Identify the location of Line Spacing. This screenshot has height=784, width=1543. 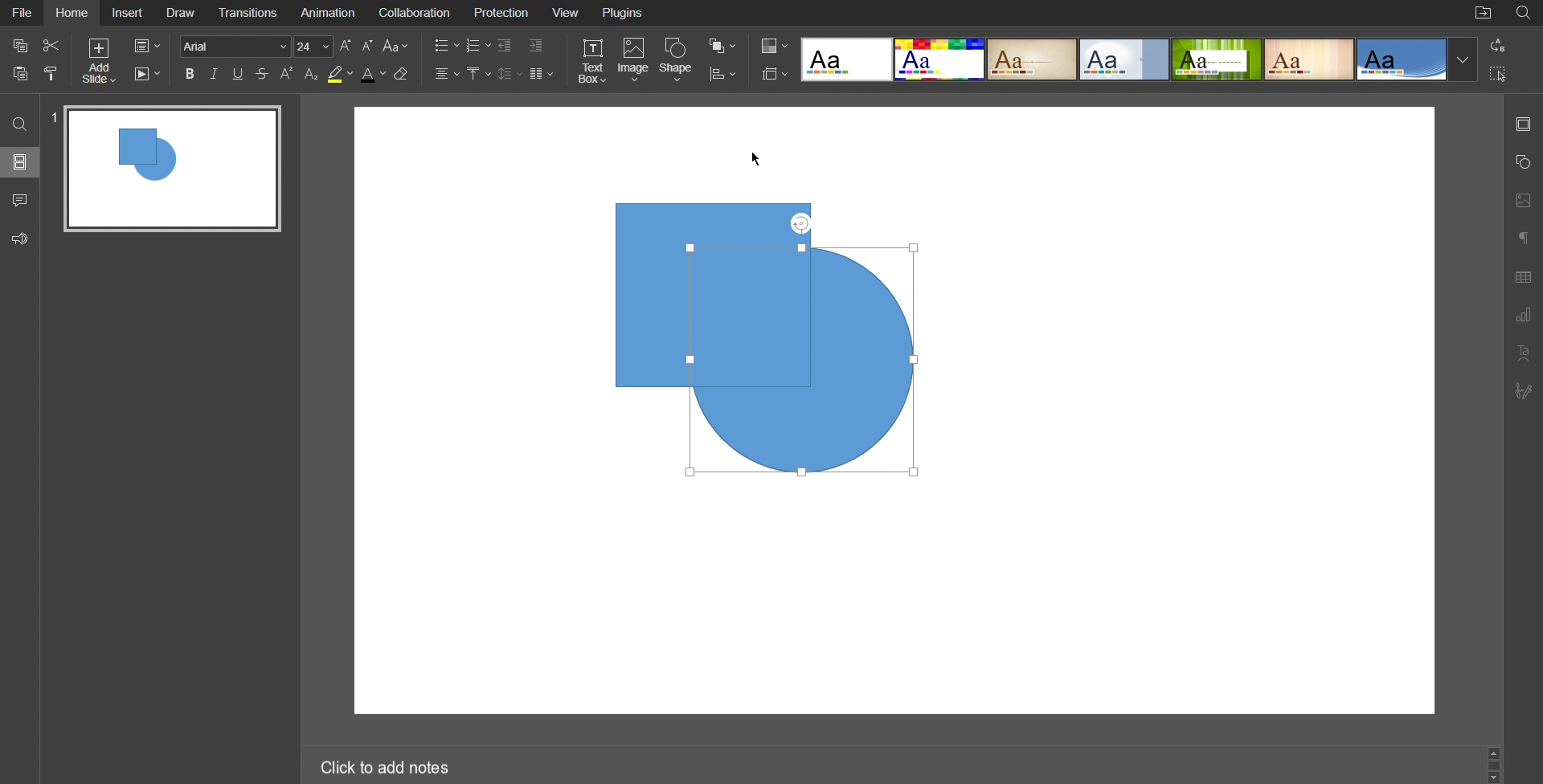
(507, 72).